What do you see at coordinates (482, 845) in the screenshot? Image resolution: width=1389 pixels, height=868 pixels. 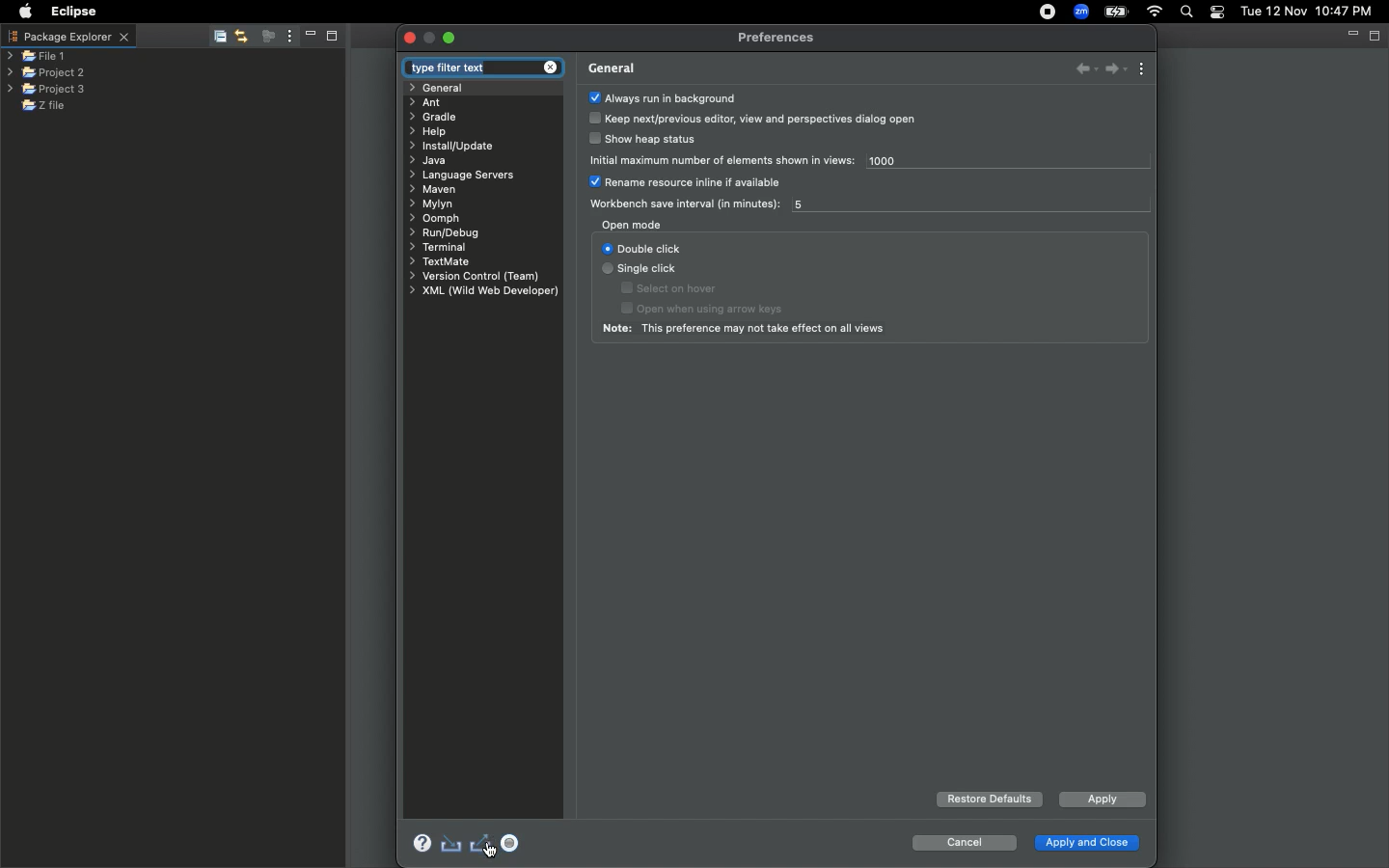 I see `Export` at bounding box center [482, 845].